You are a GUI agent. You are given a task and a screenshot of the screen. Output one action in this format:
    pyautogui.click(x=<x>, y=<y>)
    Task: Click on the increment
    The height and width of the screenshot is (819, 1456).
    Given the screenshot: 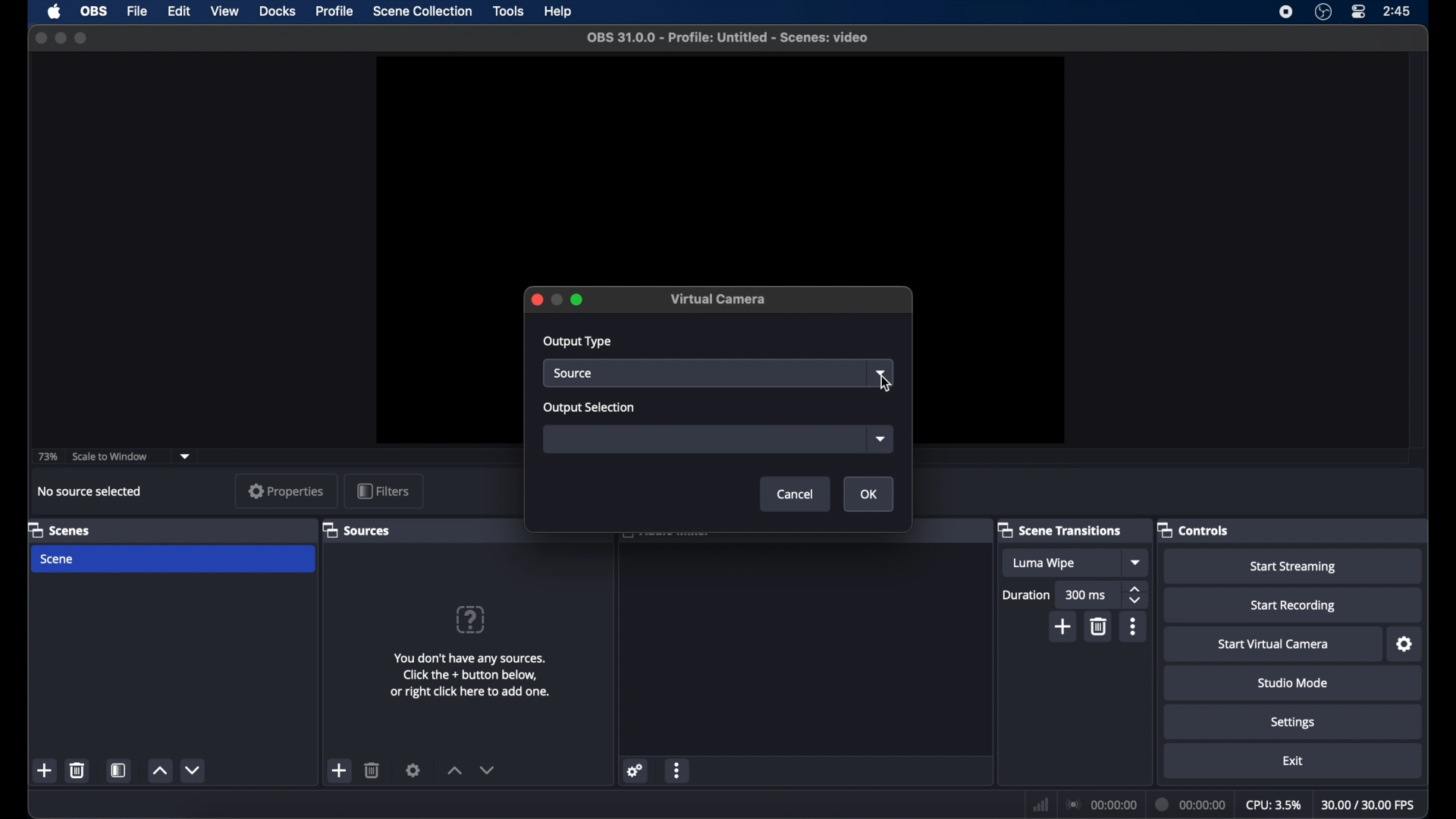 What is the action you would take?
    pyautogui.click(x=453, y=770)
    